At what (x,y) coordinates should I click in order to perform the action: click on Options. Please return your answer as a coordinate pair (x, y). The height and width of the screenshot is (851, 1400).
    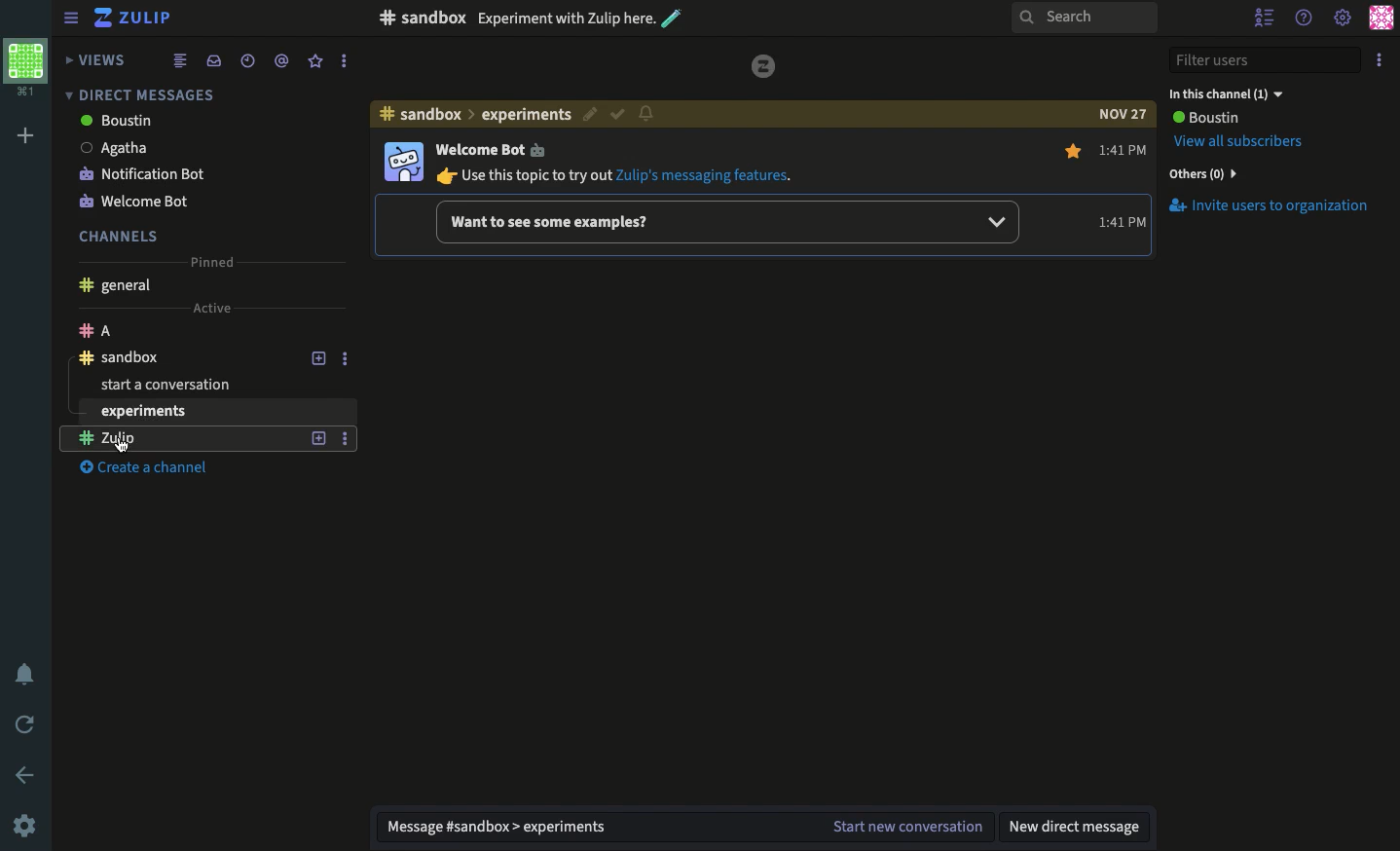
    Looking at the image, I should click on (343, 61).